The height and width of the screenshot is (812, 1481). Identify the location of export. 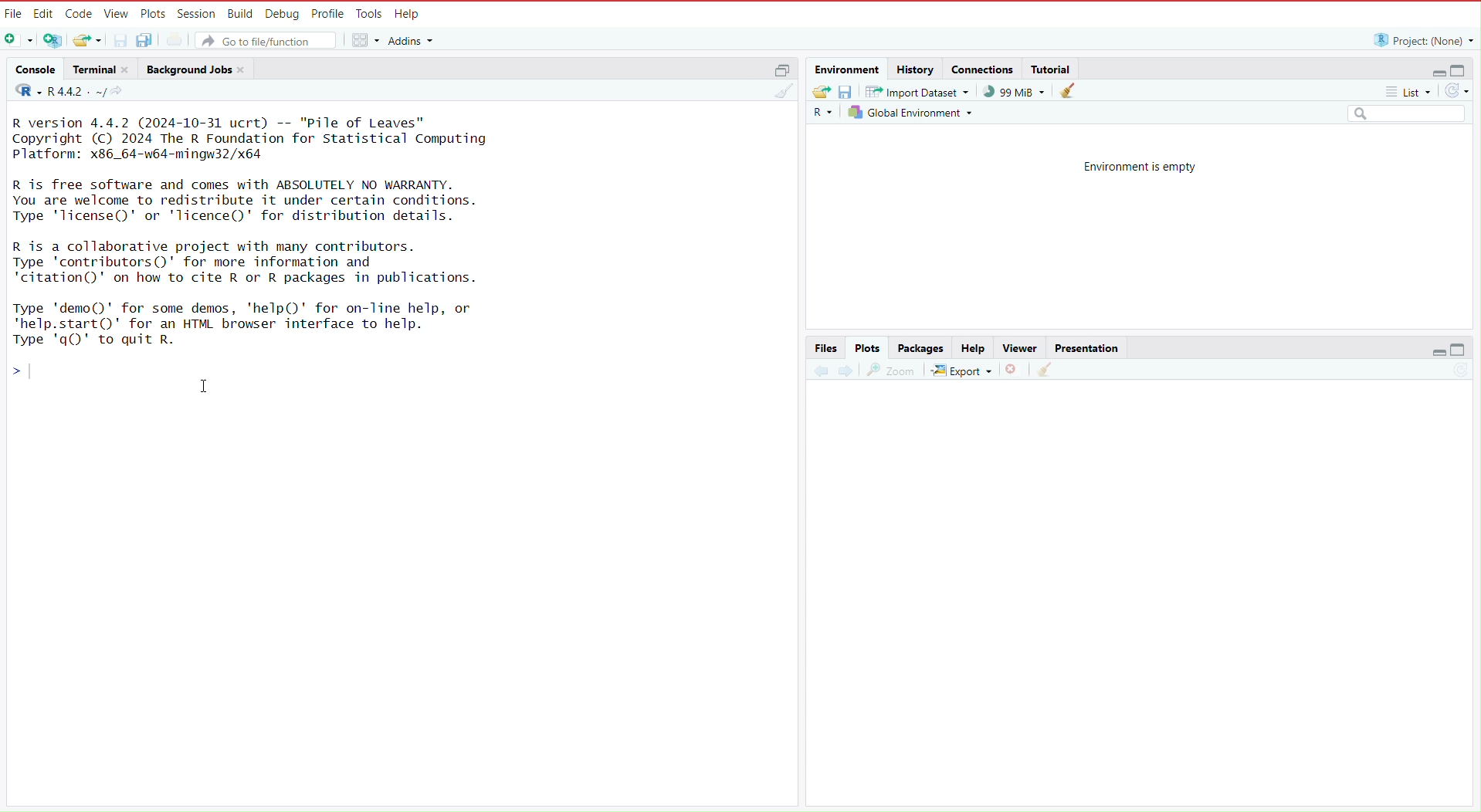
(961, 370).